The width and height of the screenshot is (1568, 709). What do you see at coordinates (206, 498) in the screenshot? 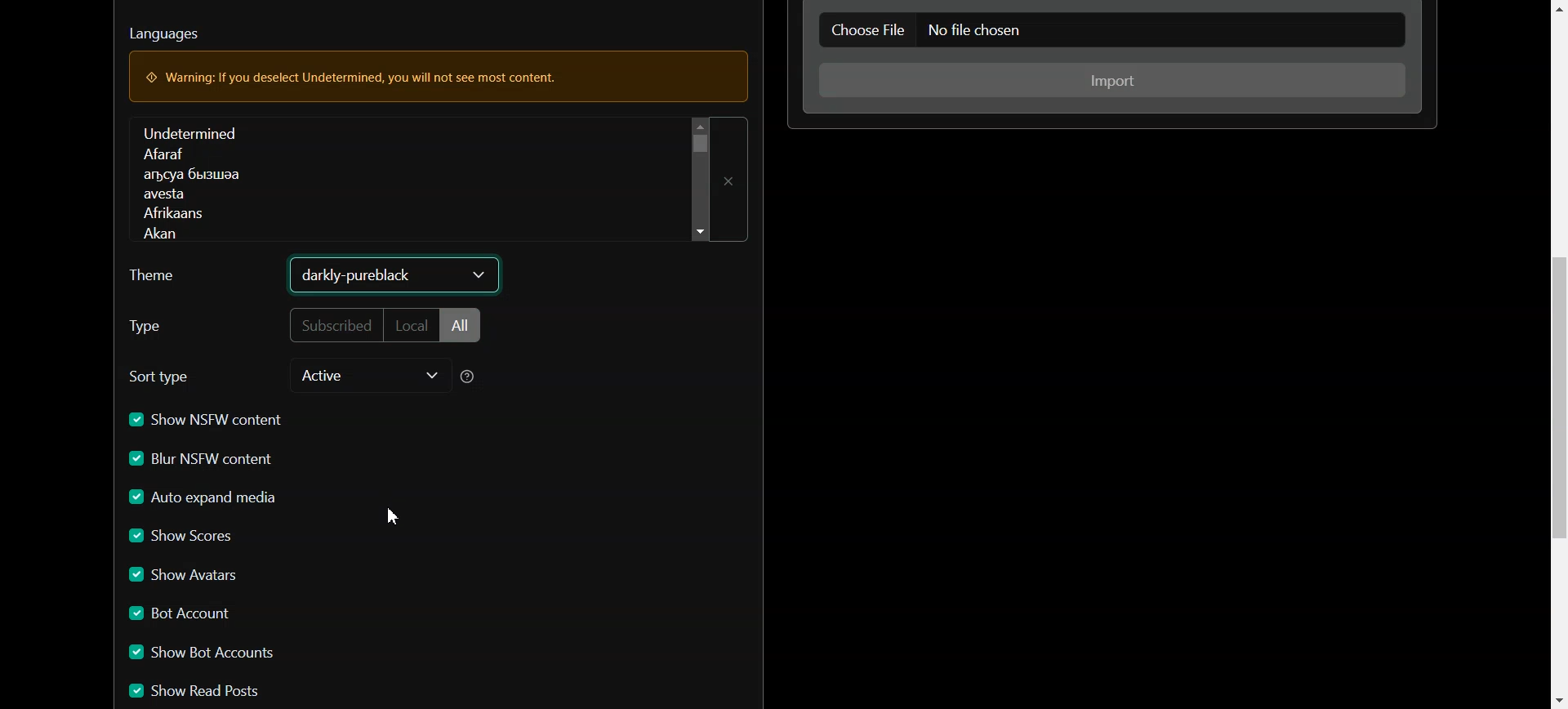
I see `Auto expand media` at bounding box center [206, 498].